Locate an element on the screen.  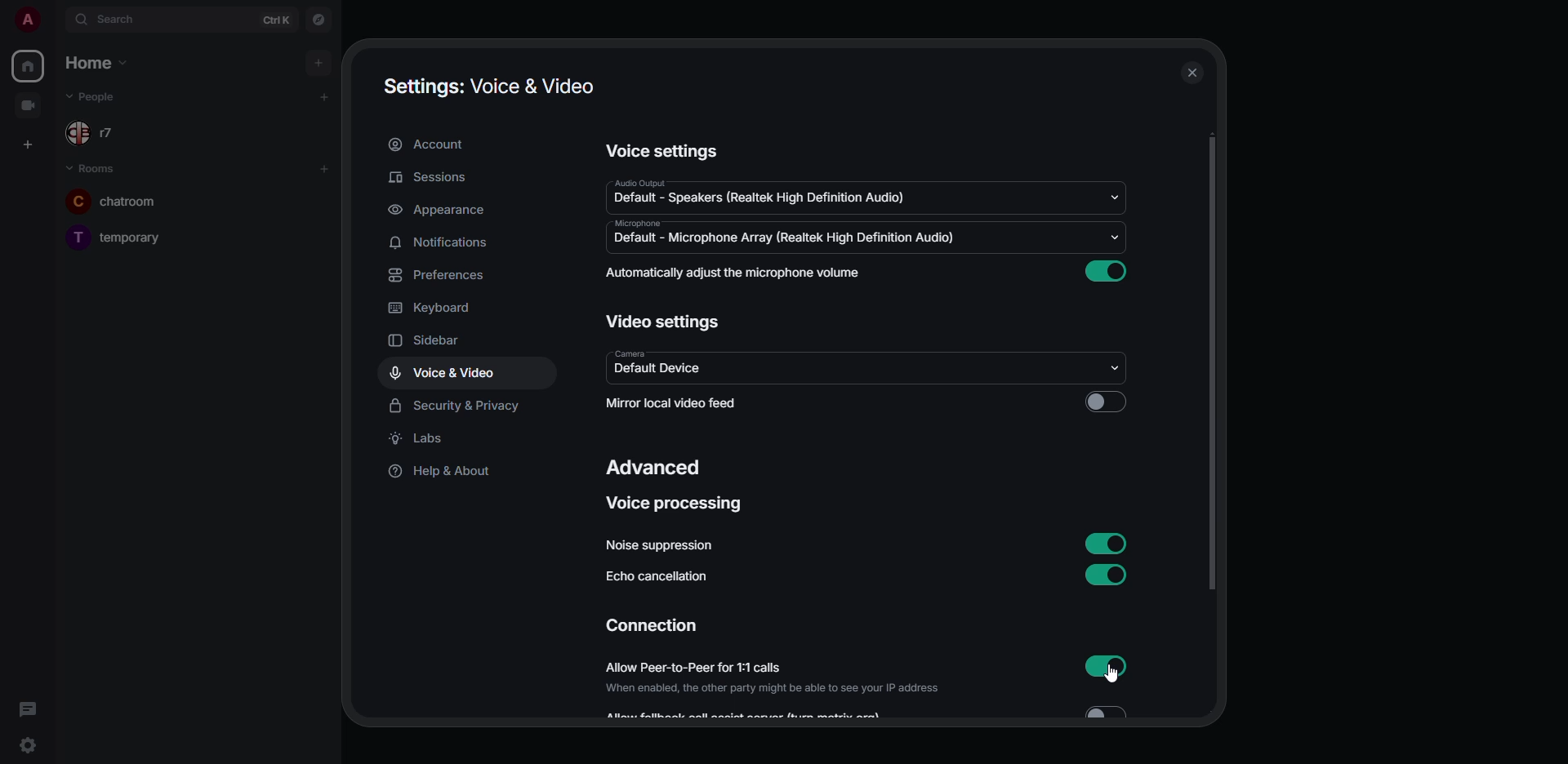
drop down is located at coordinates (1118, 234).